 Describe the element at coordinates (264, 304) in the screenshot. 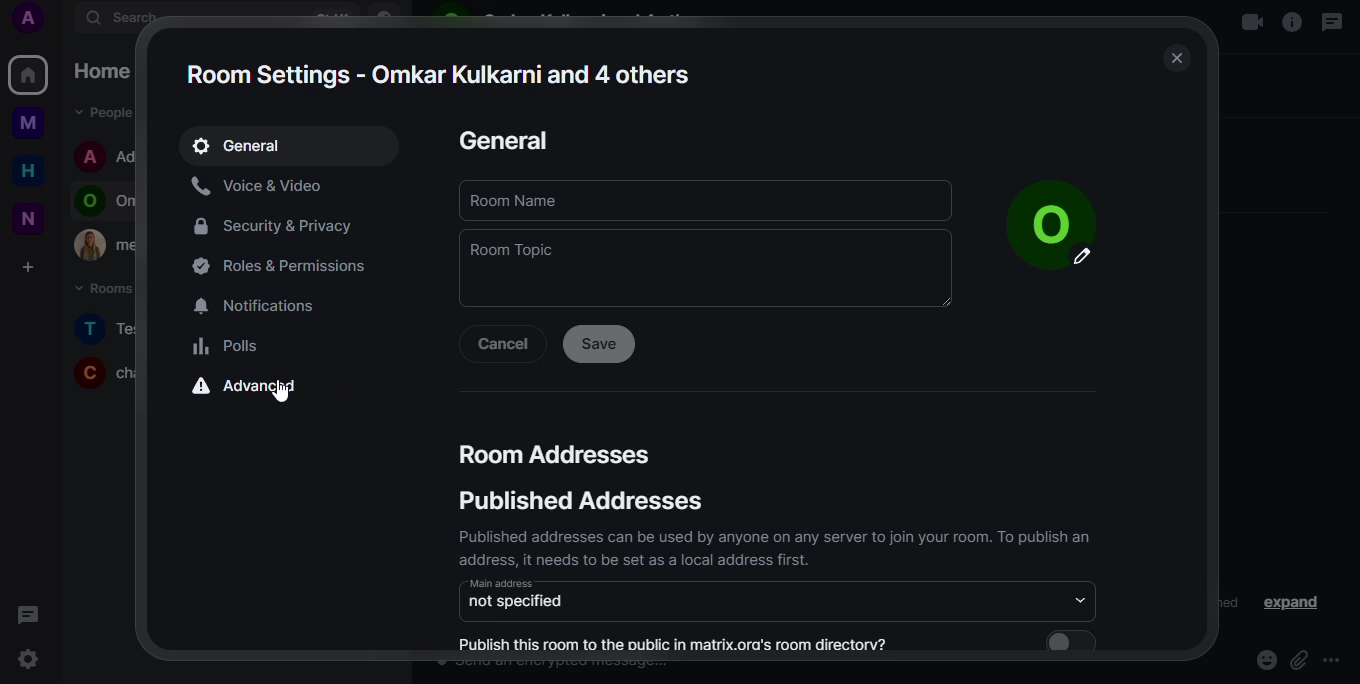

I see `notifications` at that location.